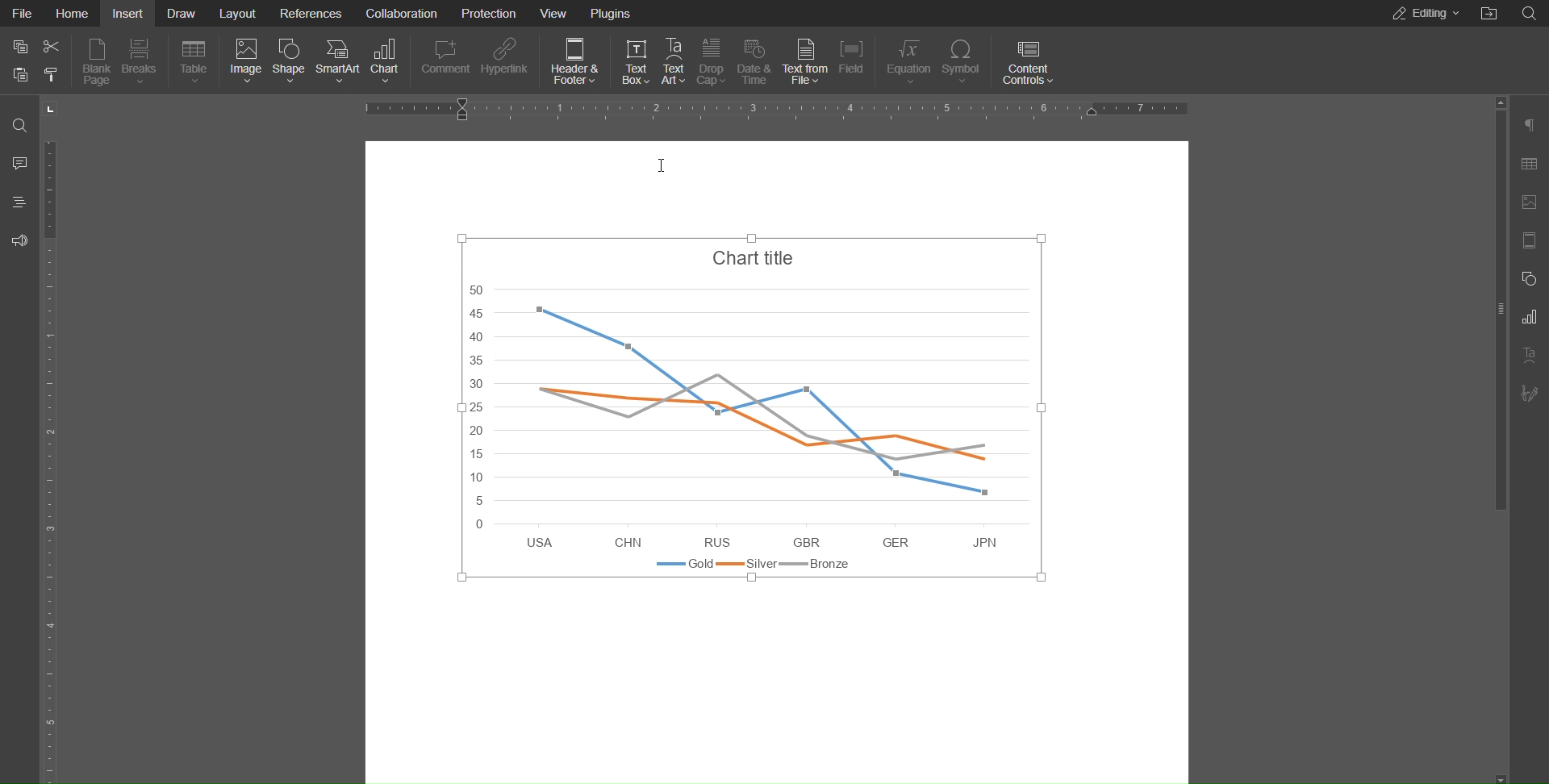 This screenshot has width=1549, height=784. What do you see at coordinates (854, 60) in the screenshot?
I see `Field ` at bounding box center [854, 60].